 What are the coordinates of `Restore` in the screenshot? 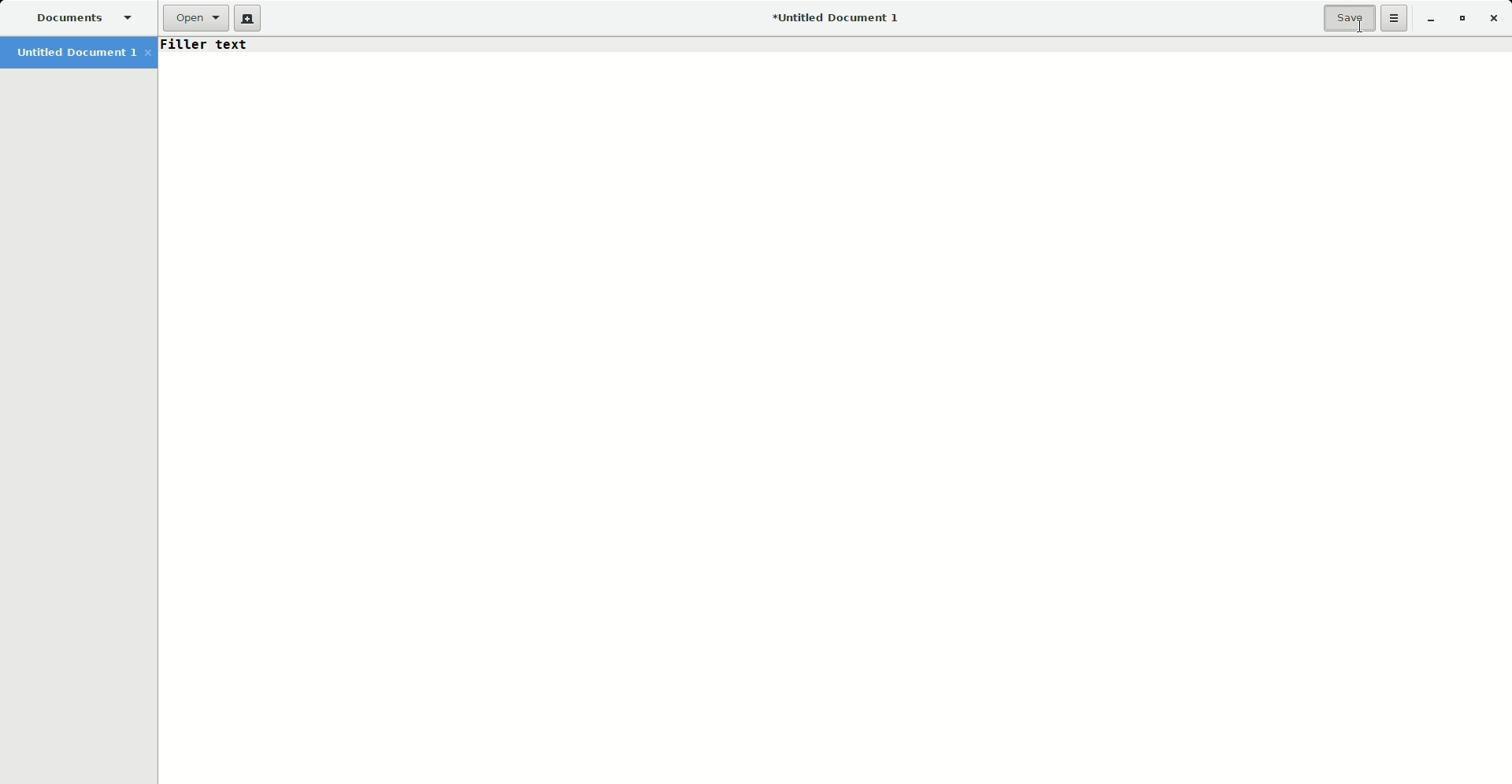 It's located at (1459, 19).